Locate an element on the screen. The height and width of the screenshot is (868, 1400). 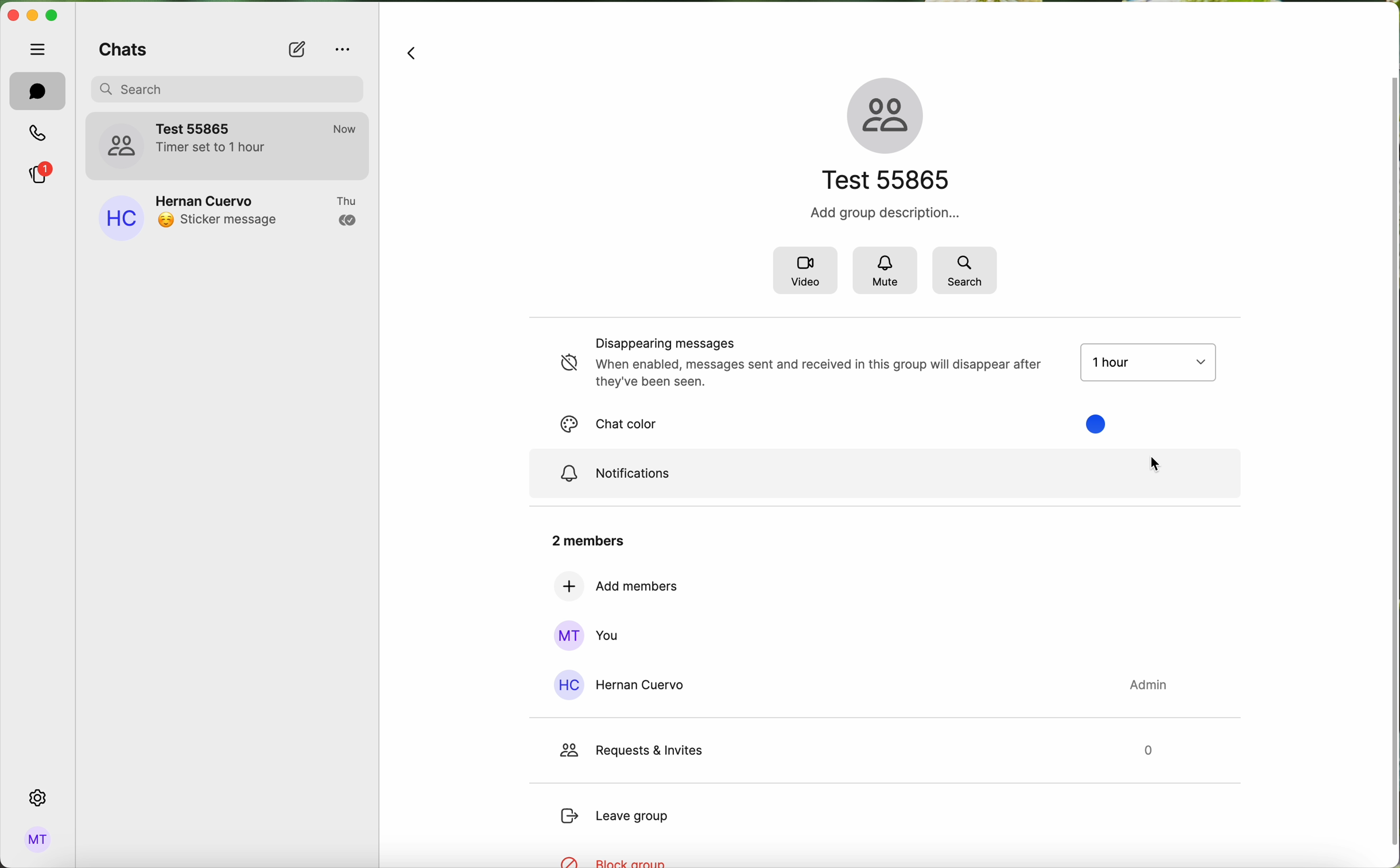
name of the group and icon is located at coordinates (885, 134).